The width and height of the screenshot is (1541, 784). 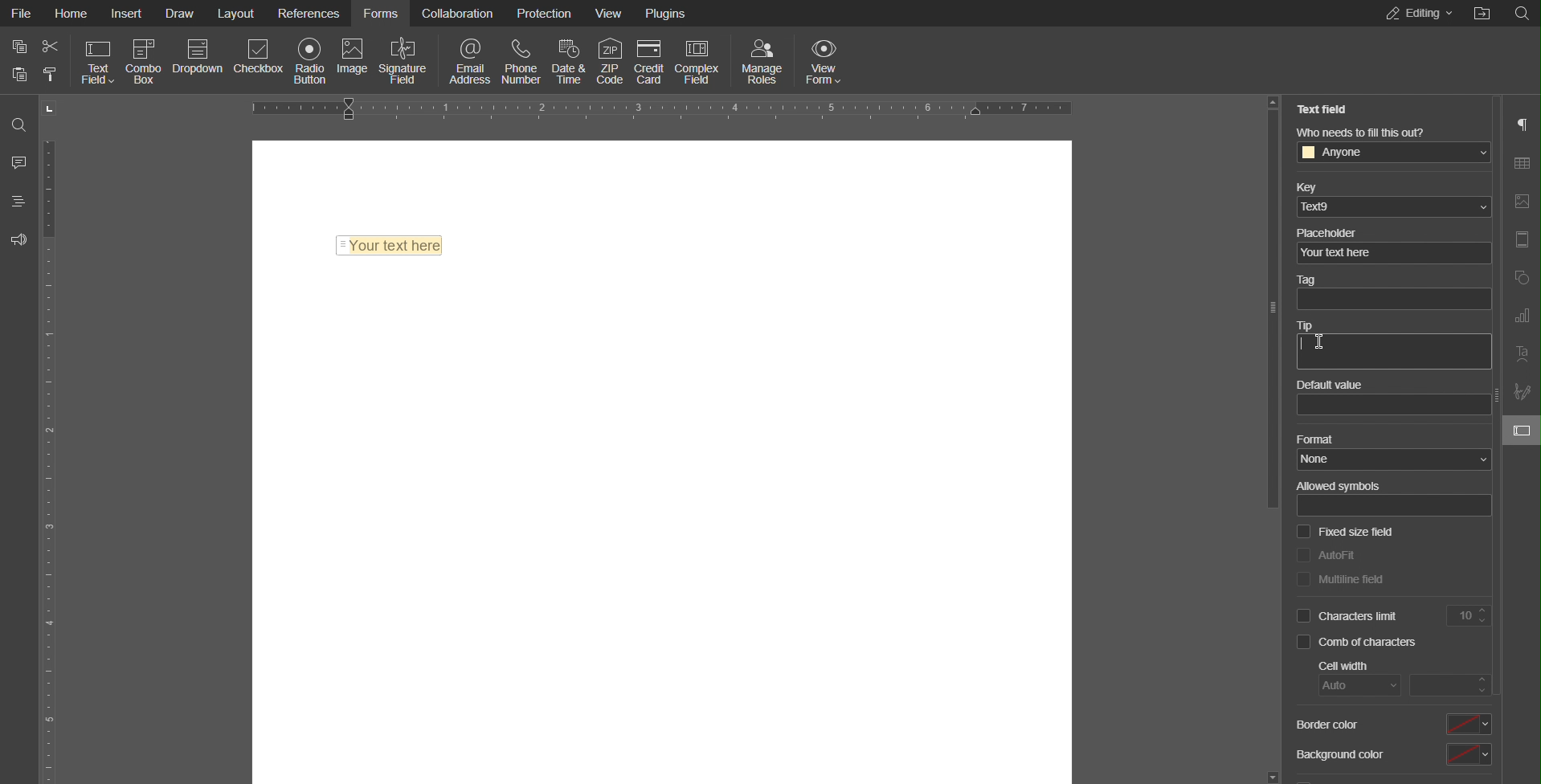 I want to click on Characters Limit, so click(x=1404, y=616).